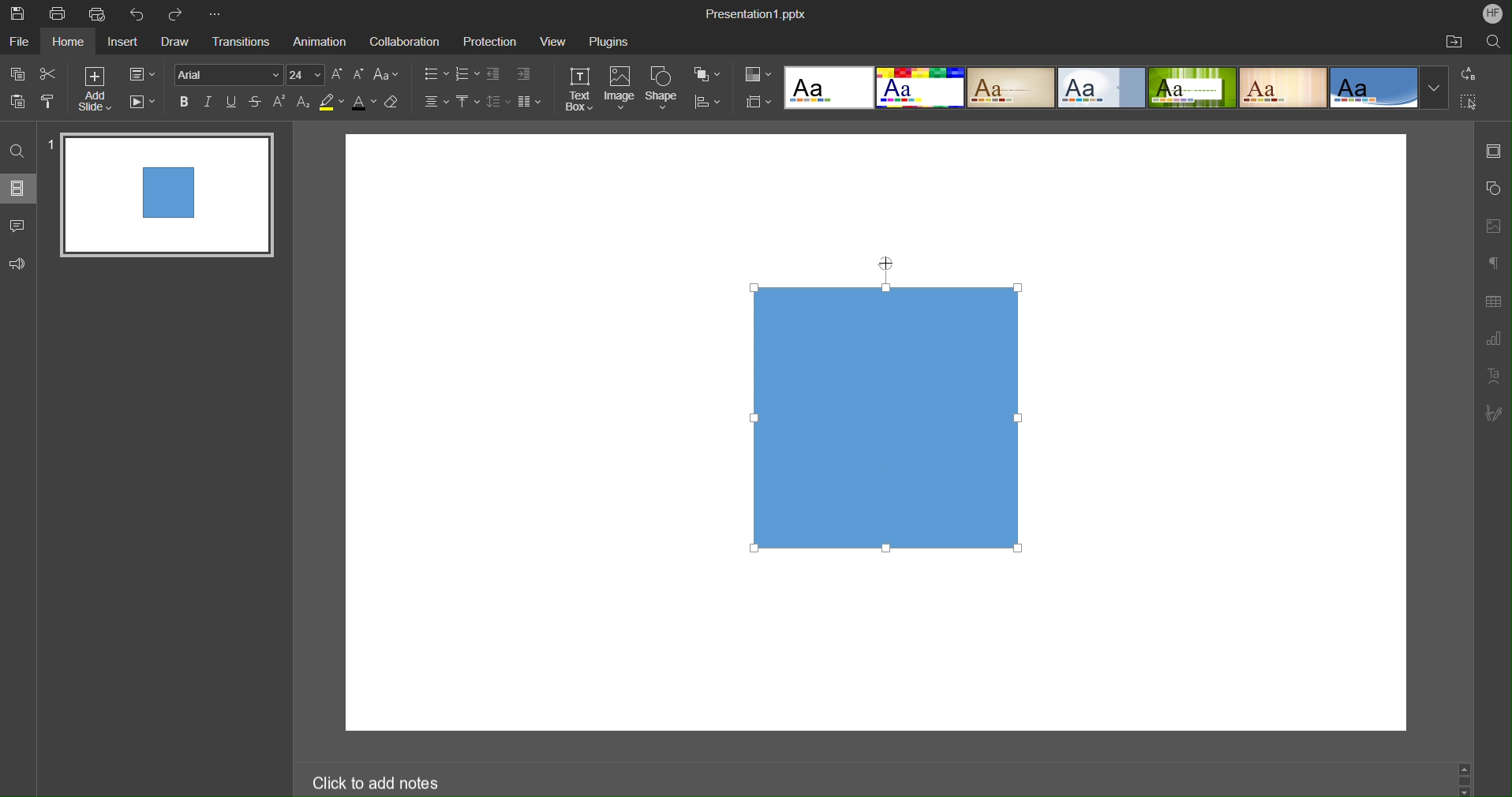 Image resolution: width=1512 pixels, height=797 pixels. Describe the element at coordinates (16, 102) in the screenshot. I see `Paste` at that location.